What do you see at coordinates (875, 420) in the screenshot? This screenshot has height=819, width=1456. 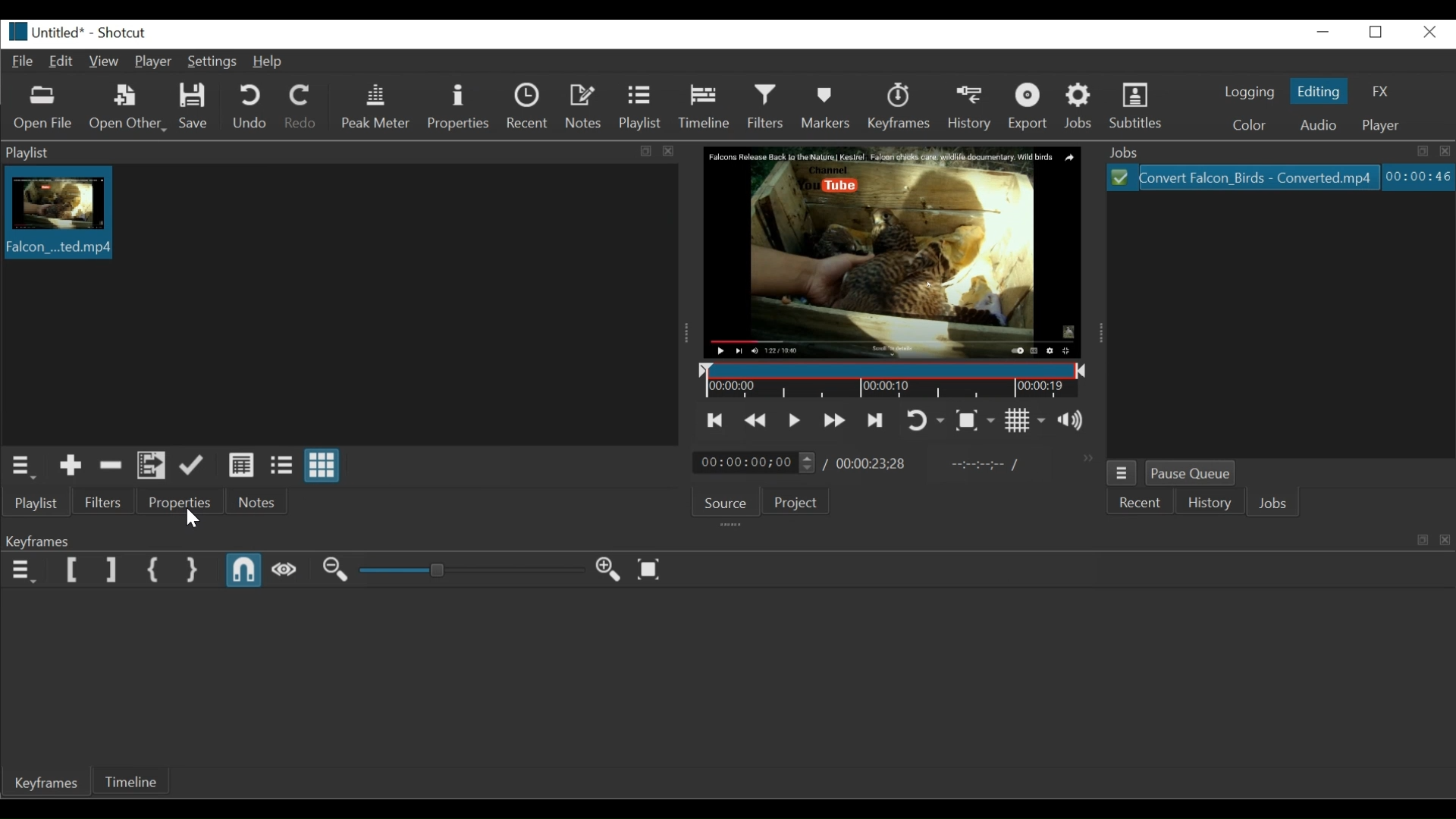 I see `Skip to the next point` at bounding box center [875, 420].